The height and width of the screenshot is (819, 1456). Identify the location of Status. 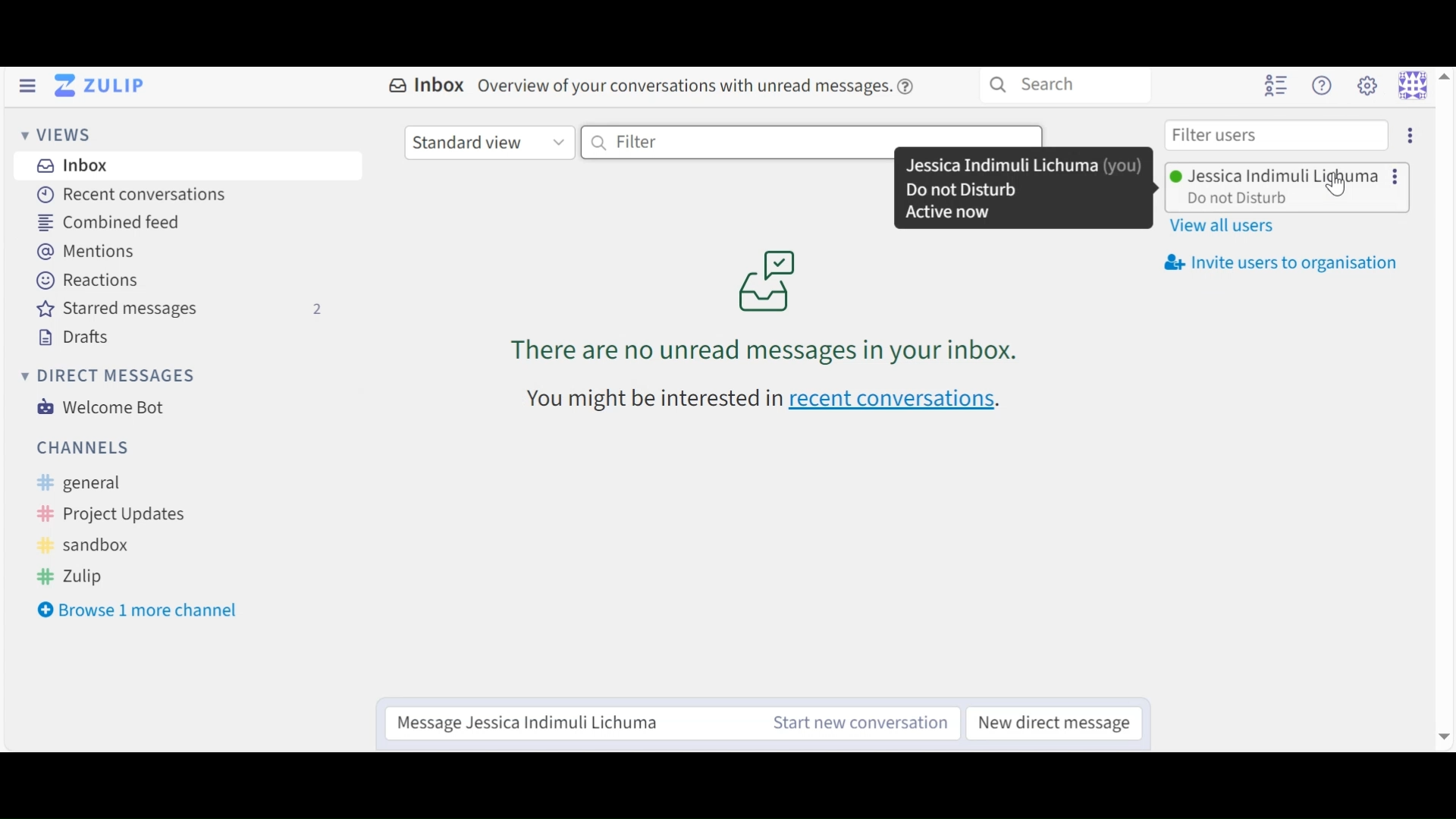
(1240, 200).